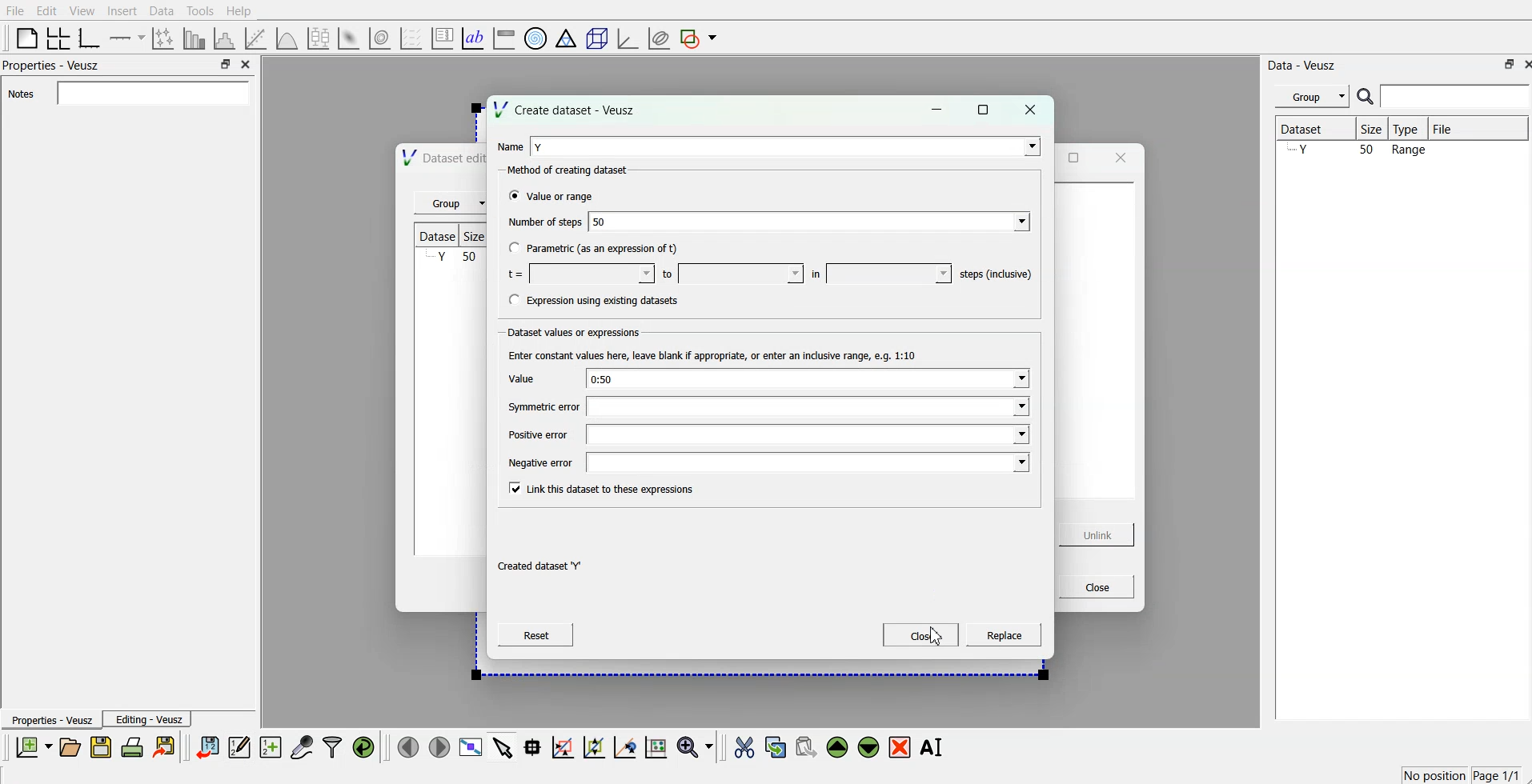 This screenshot has width=1532, height=784. I want to click on Notes field, so click(151, 92).